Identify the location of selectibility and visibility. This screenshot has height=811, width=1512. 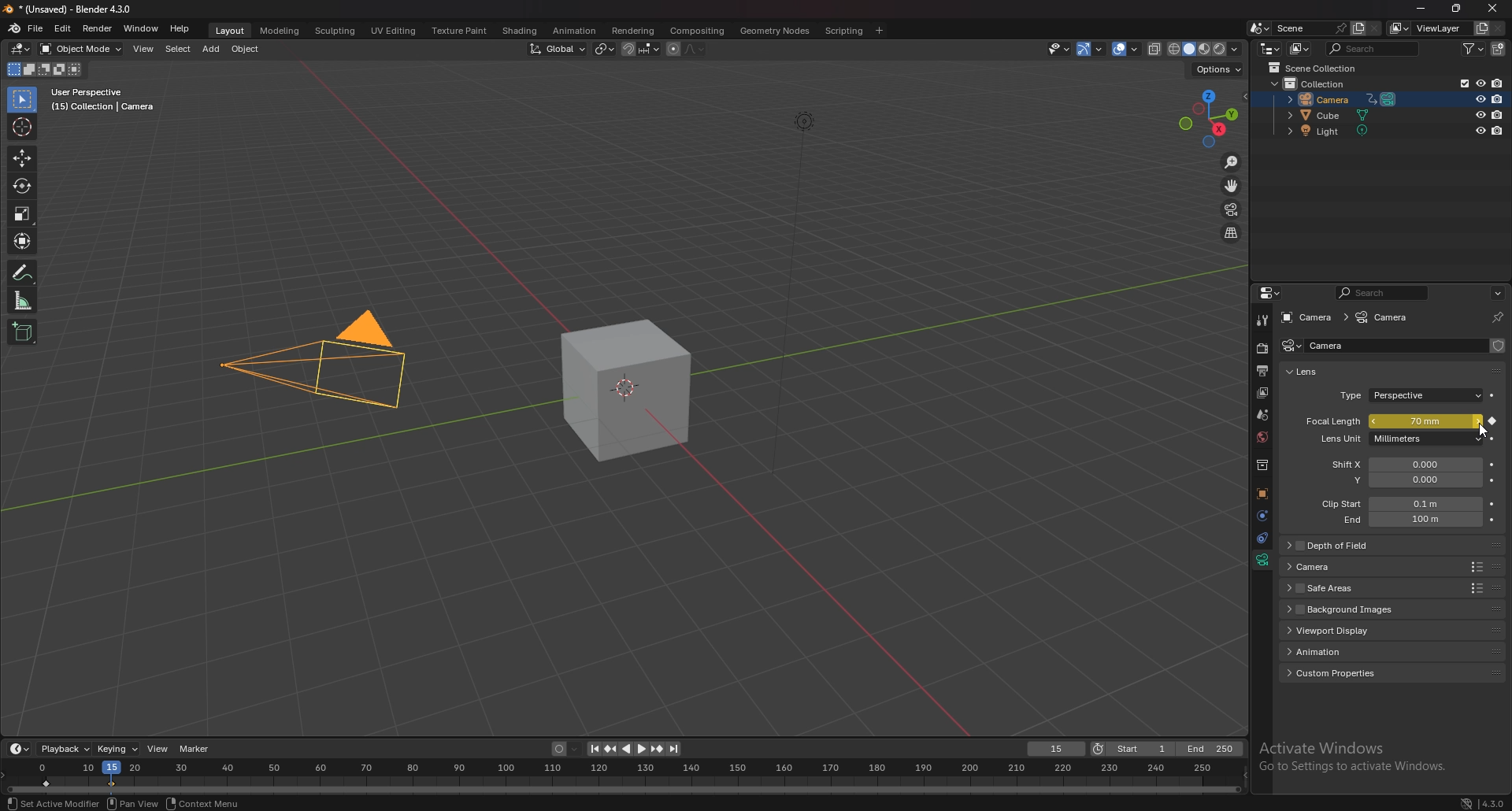
(1058, 49).